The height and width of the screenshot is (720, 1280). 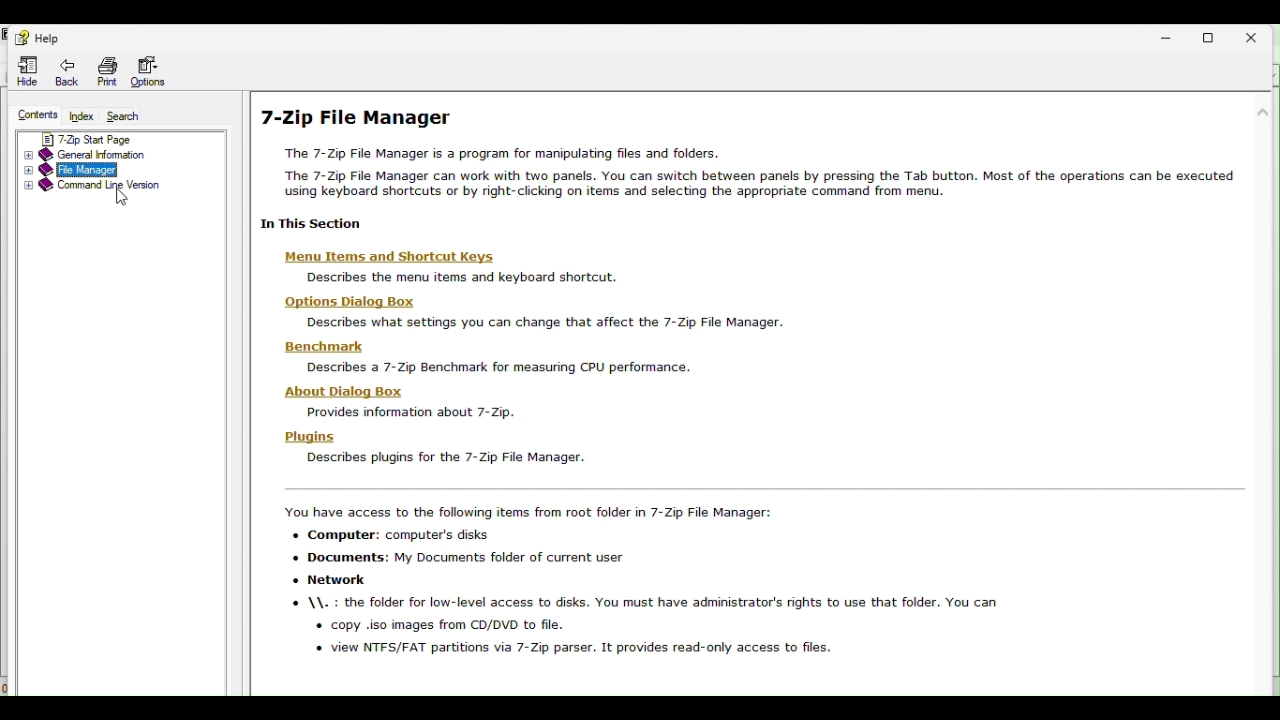 I want to click on expand, so click(x=26, y=172).